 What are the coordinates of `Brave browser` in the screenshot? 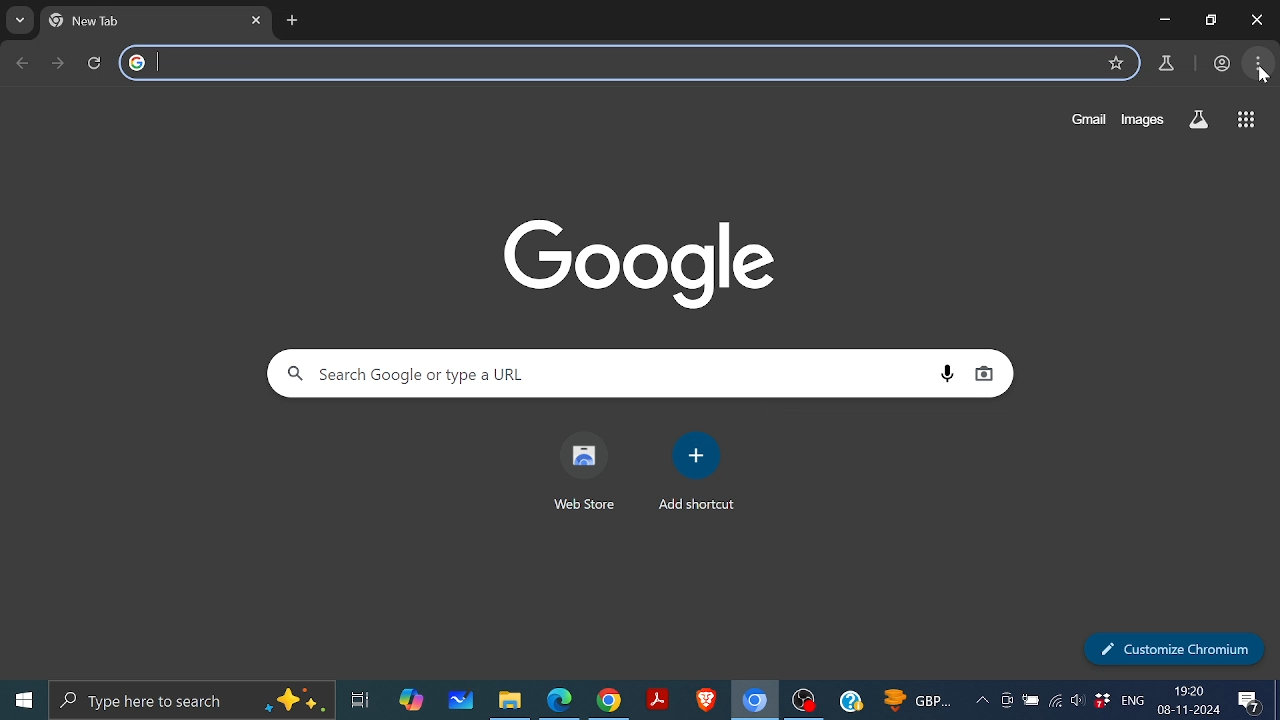 It's located at (705, 700).